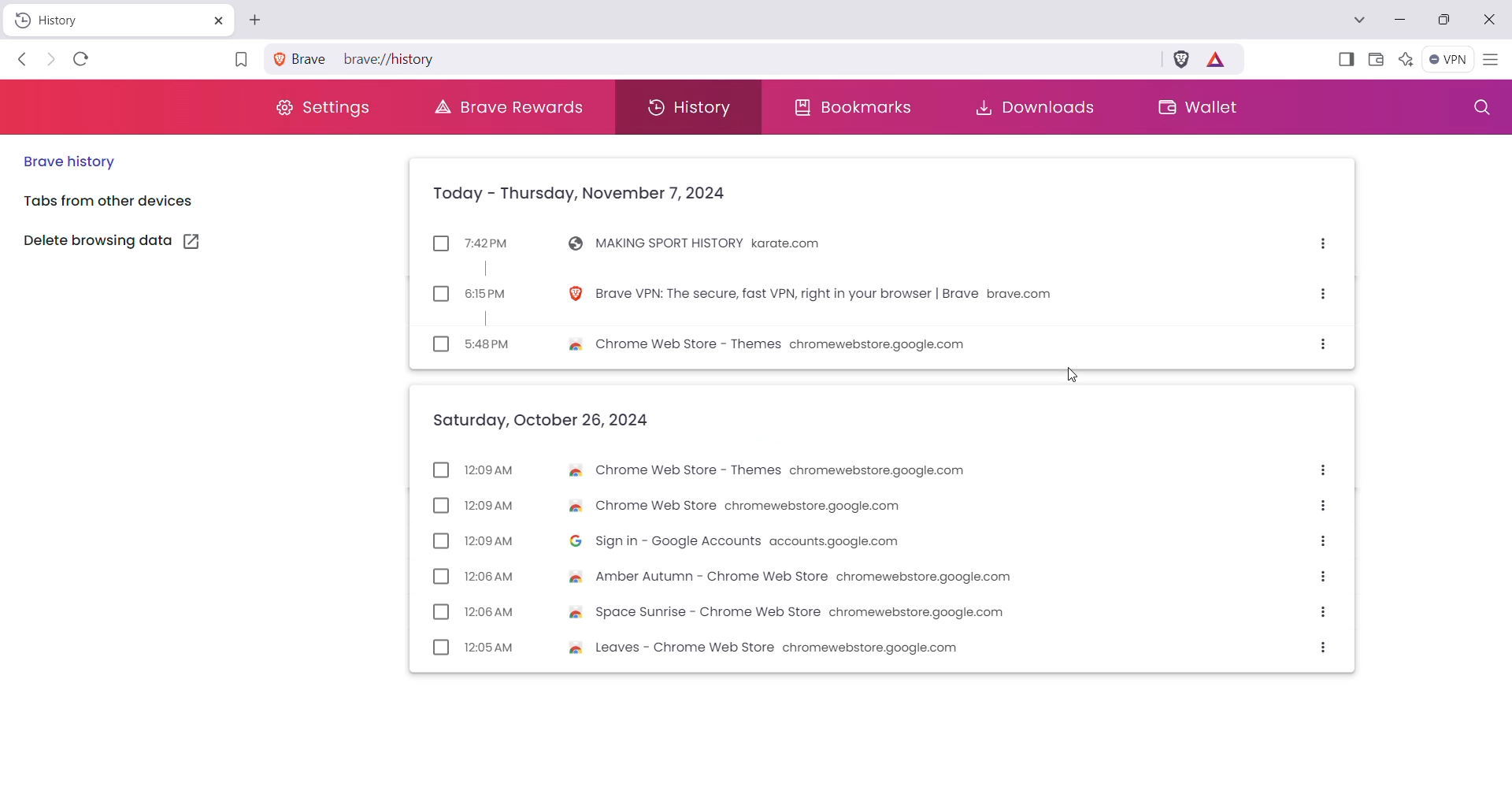 The height and width of the screenshot is (802, 1512). I want to click on brave://history, so click(399, 60).